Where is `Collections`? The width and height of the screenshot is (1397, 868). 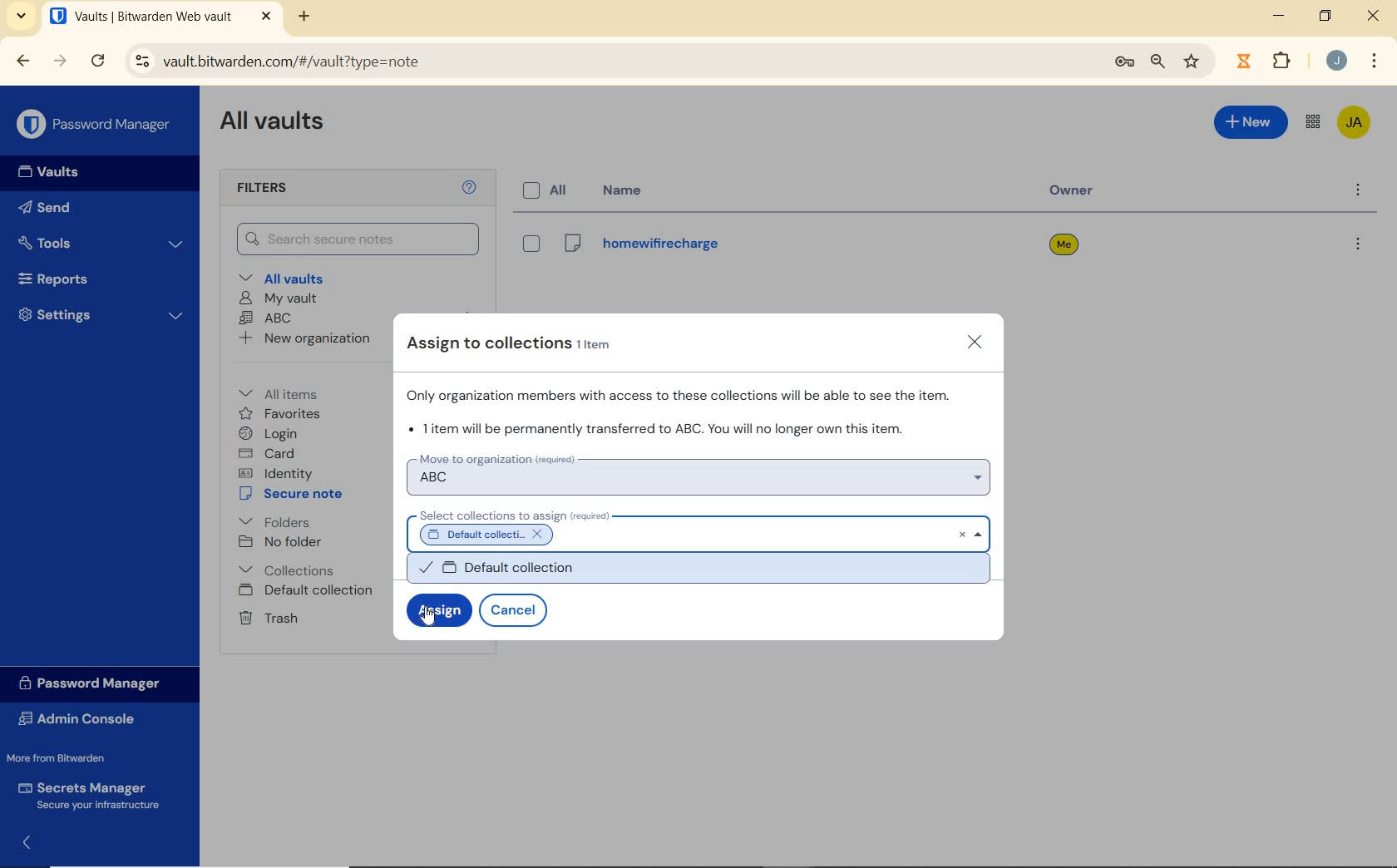
Collections is located at coordinates (290, 570).